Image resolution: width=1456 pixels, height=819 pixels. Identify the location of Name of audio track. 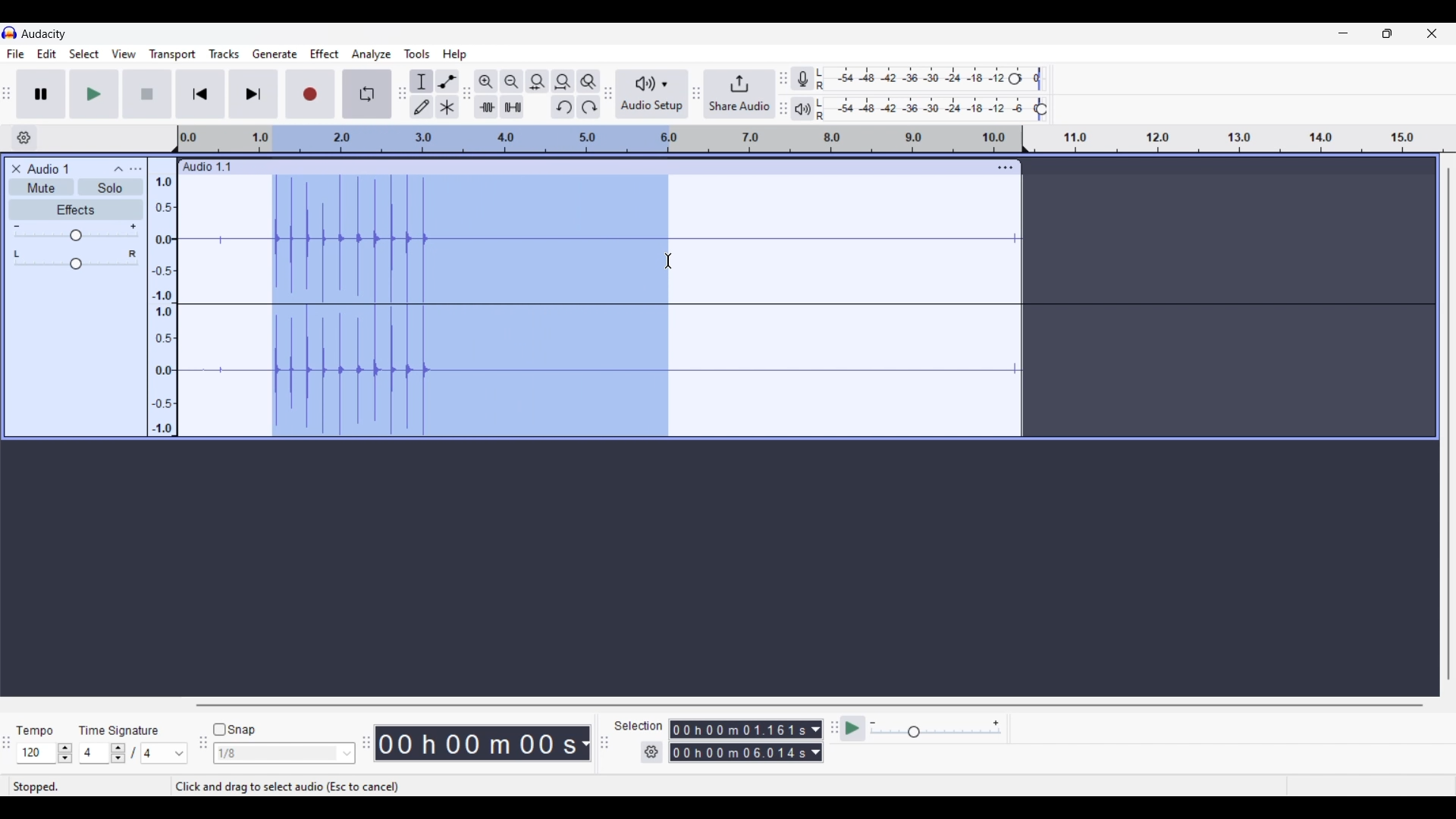
(49, 168).